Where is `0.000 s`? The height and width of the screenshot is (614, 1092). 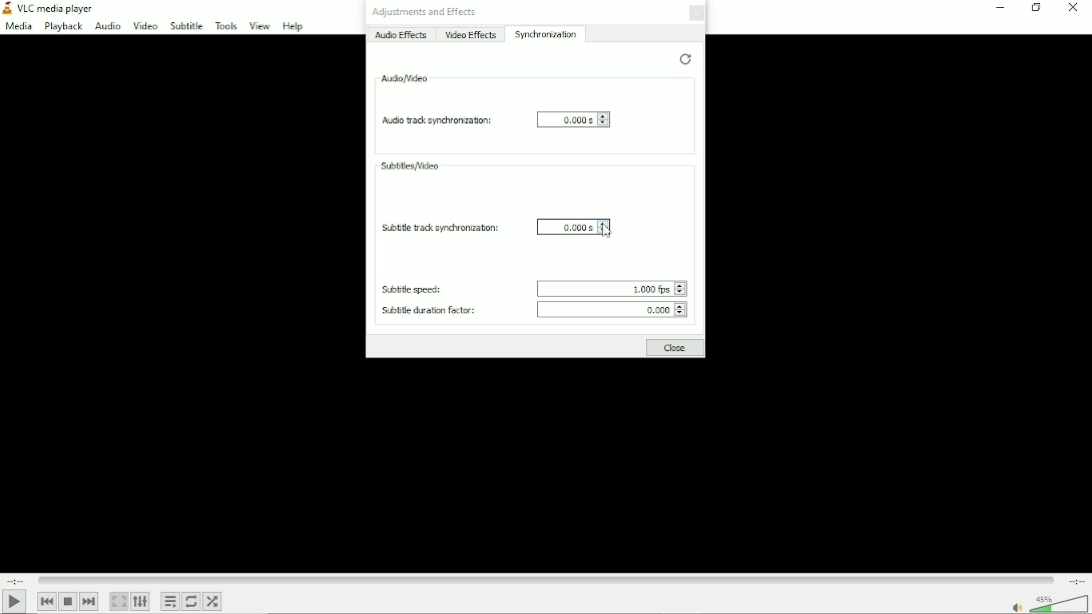 0.000 s is located at coordinates (574, 121).